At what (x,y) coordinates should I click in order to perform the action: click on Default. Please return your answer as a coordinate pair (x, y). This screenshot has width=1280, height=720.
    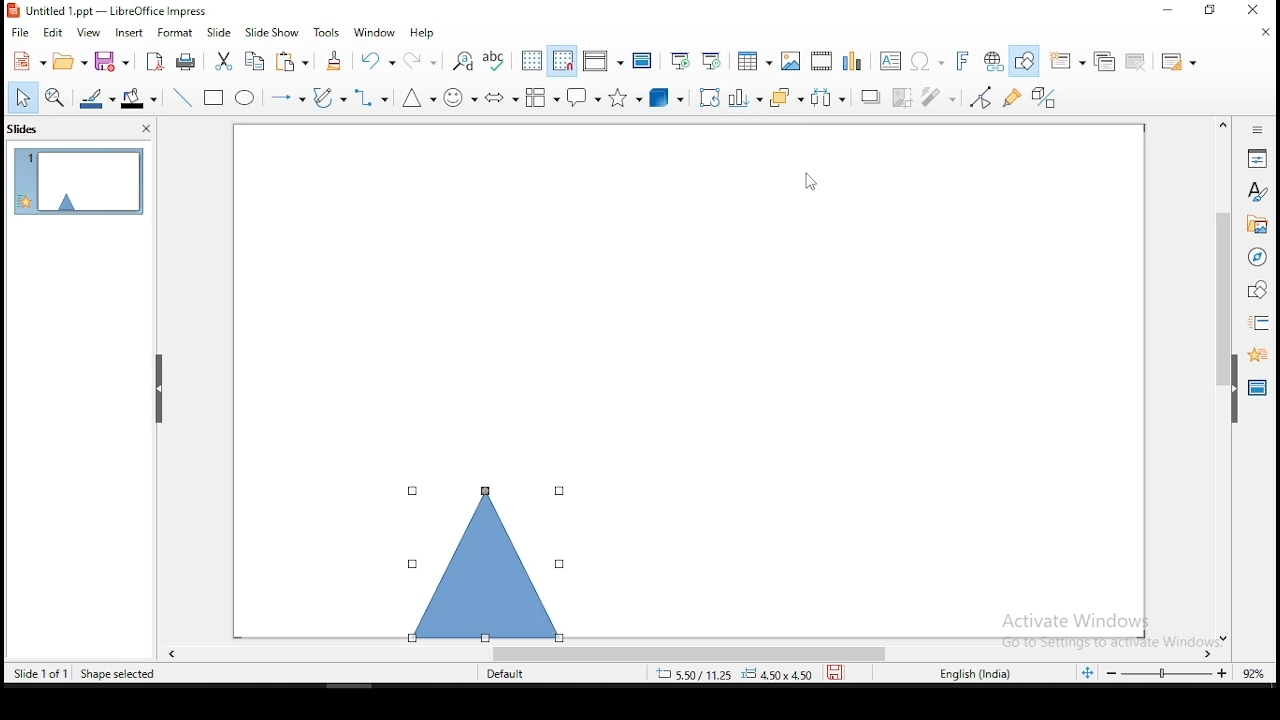
    Looking at the image, I should click on (514, 674).